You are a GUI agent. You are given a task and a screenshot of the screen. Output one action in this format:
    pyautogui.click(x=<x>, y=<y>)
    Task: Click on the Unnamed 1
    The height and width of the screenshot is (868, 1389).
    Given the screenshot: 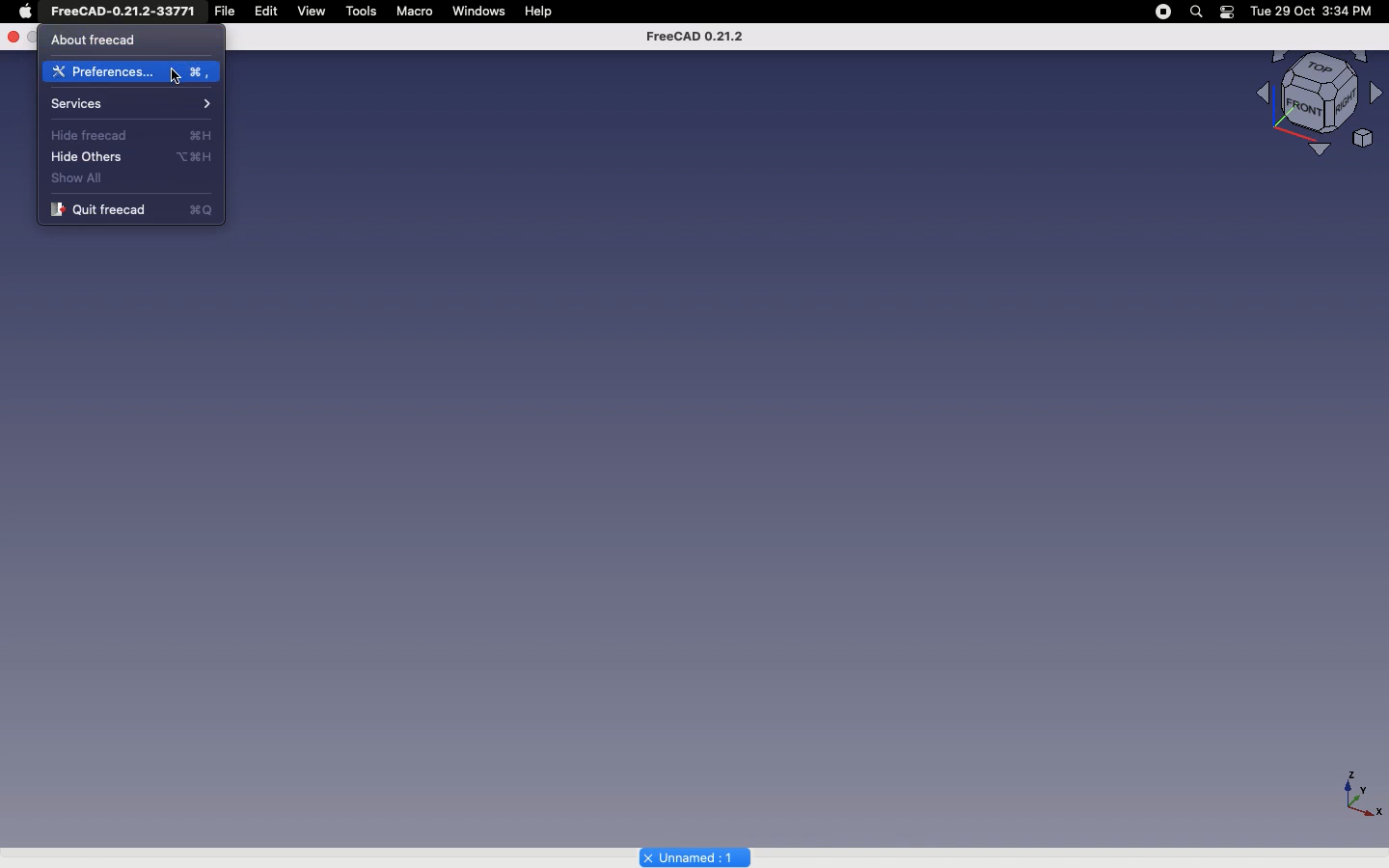 What is the action you would take?
    pyautogui.click(x=688, y=854)
    